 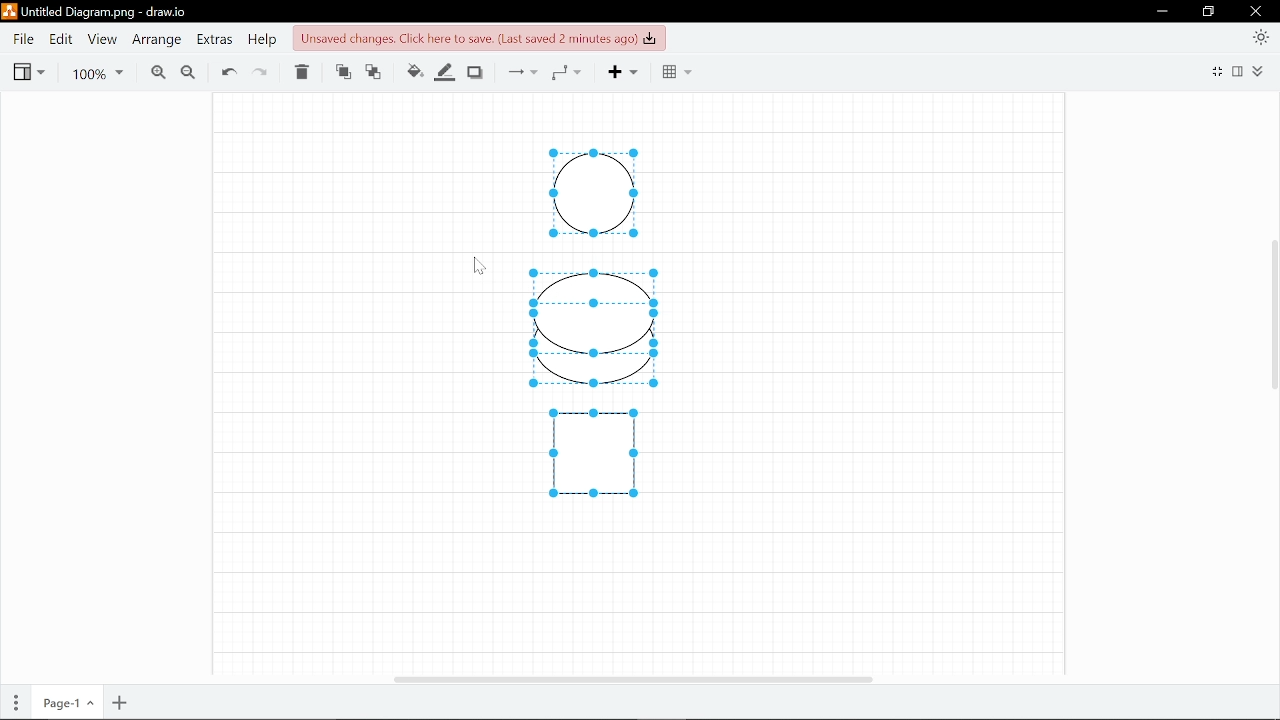 What do you see at coordinates (481, 37) in the screenshot?
I see `Unsaved changes. Click here to save` at bounding box center [481, 37].